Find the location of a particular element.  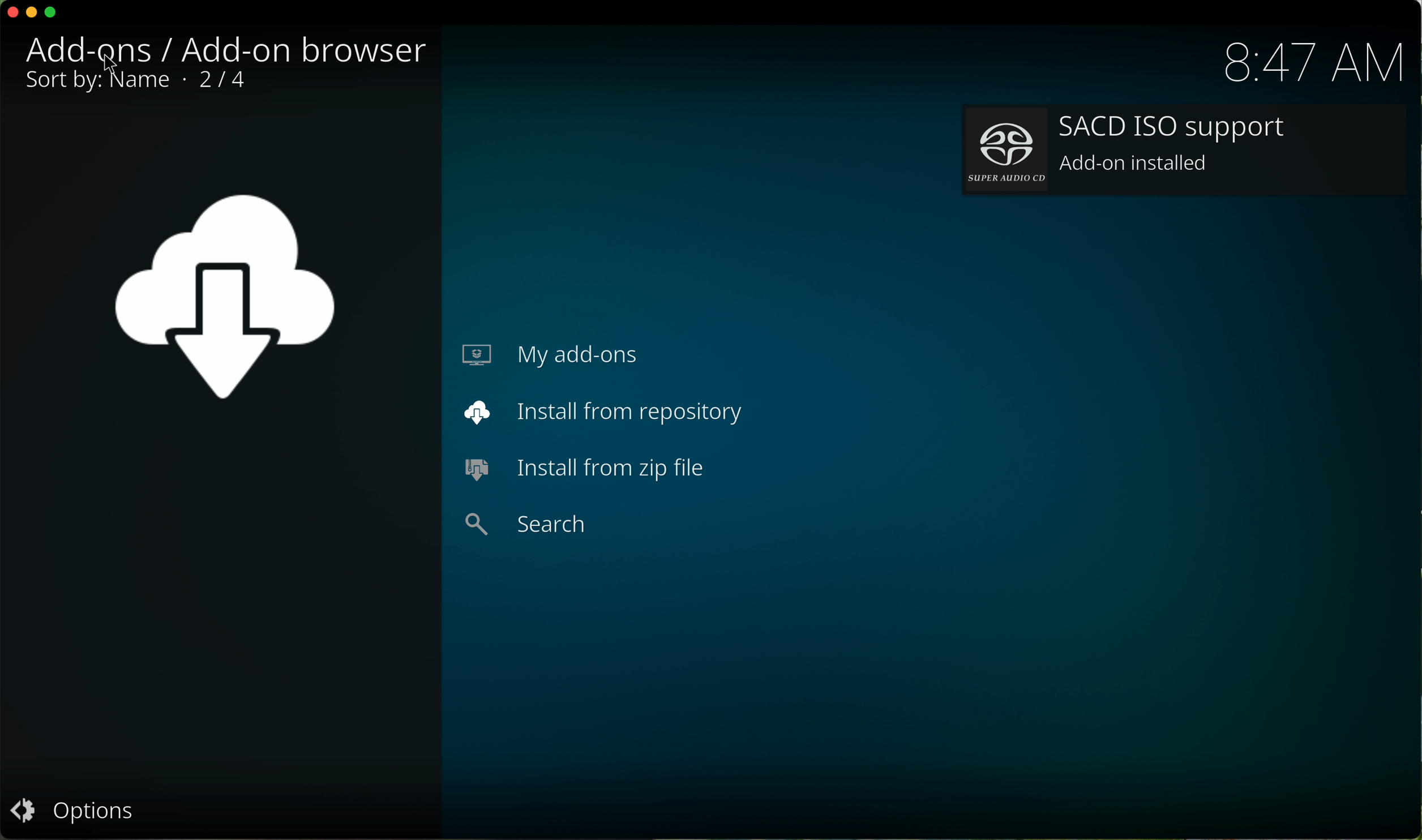

1/1 is located at coordinates (222, 80).